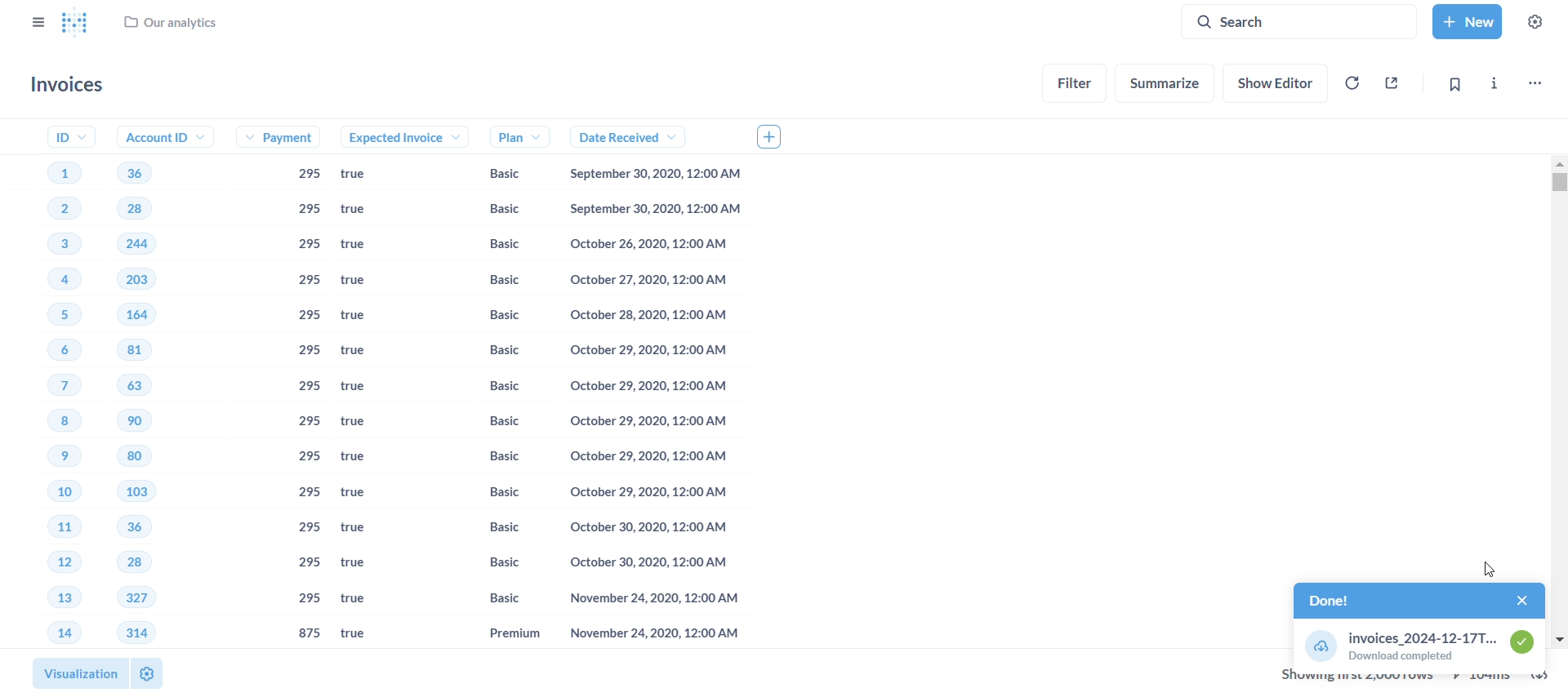  Describe the element at coordinates (494, 566) in the screenshot. I see `Basic` at that location.